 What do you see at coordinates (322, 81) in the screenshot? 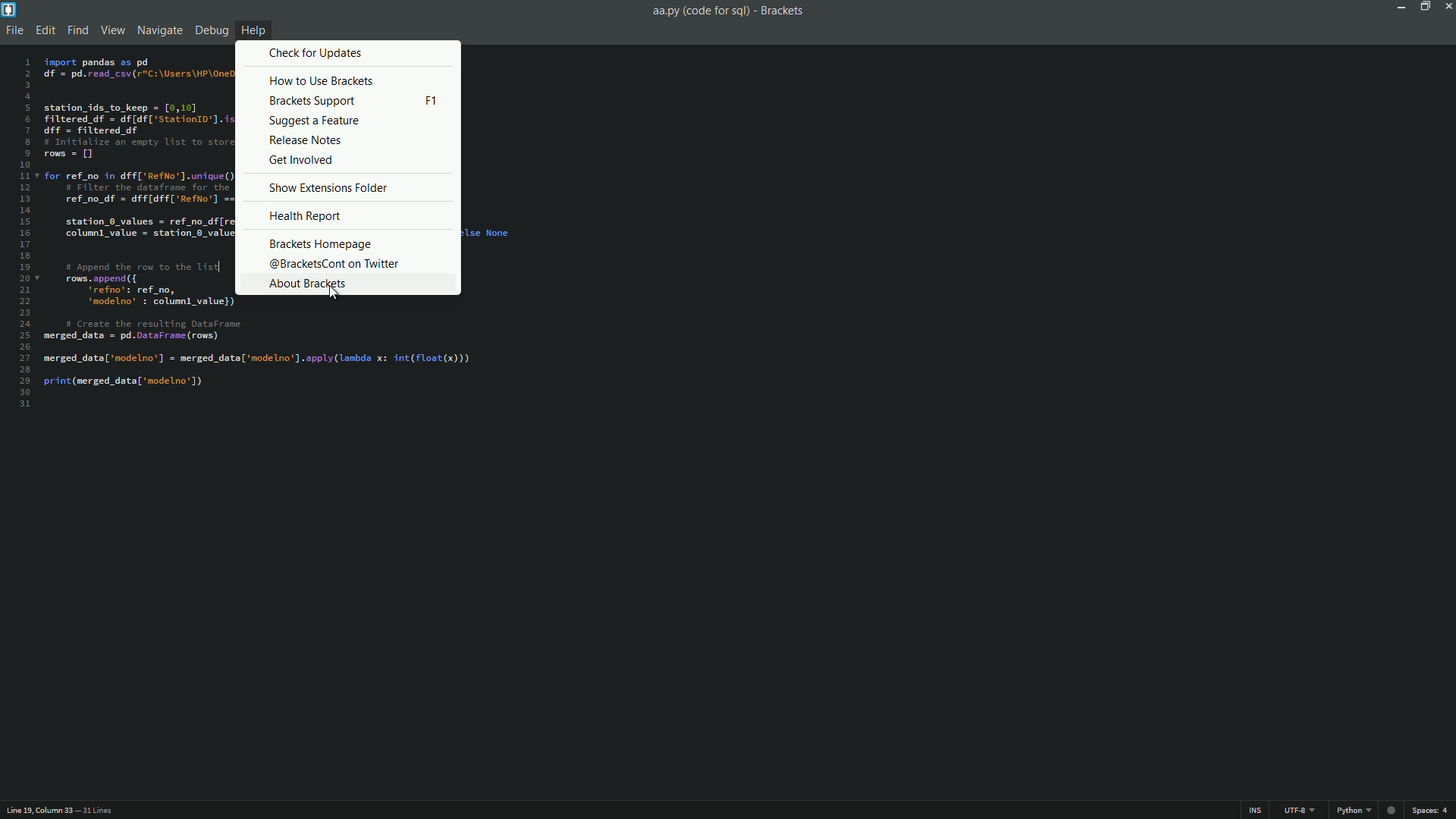
I see `how to use brackets` at bounding box center [322, 81].